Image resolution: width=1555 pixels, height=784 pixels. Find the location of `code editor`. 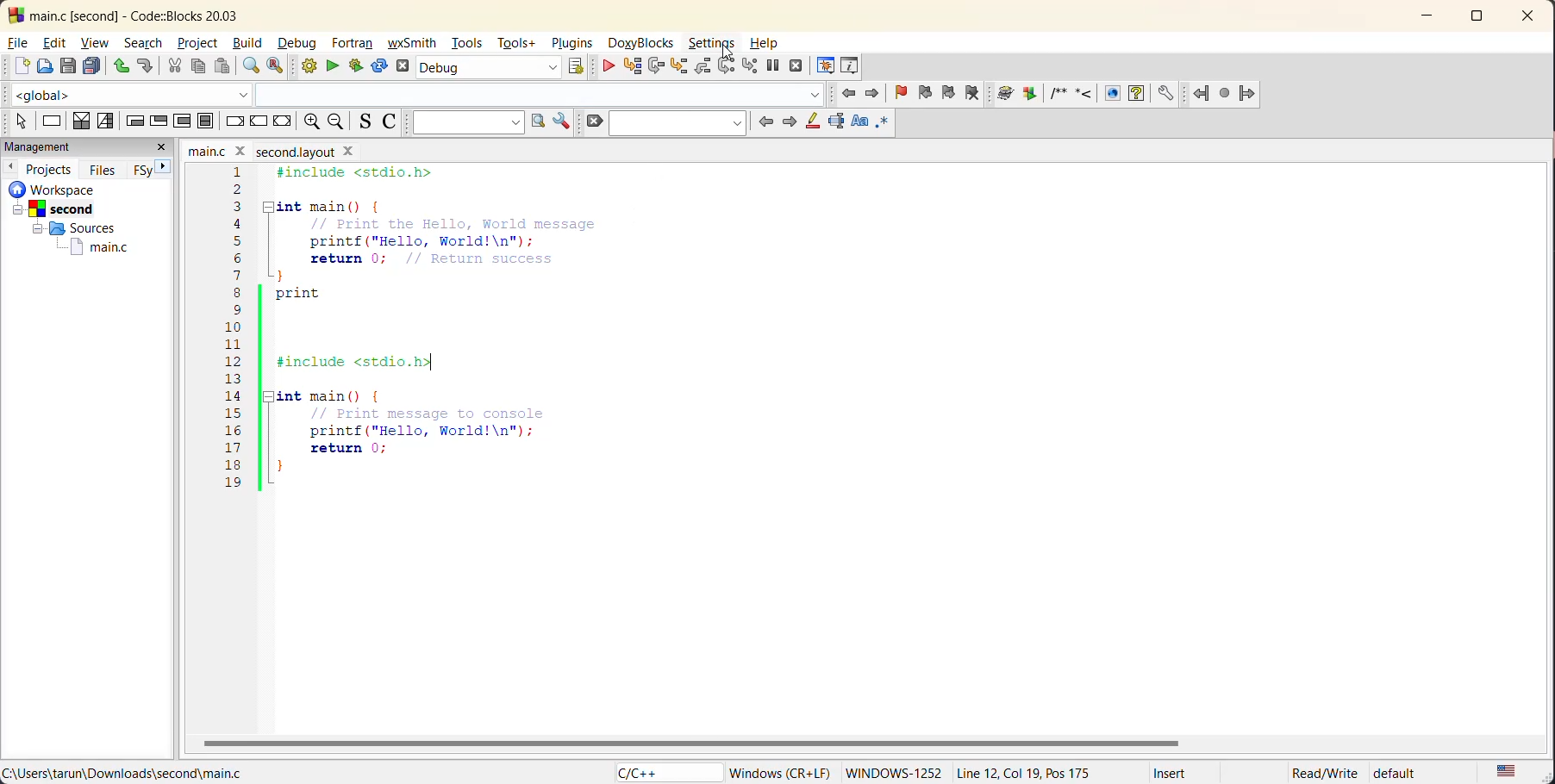

code editor is located at coordinates (404, 340).